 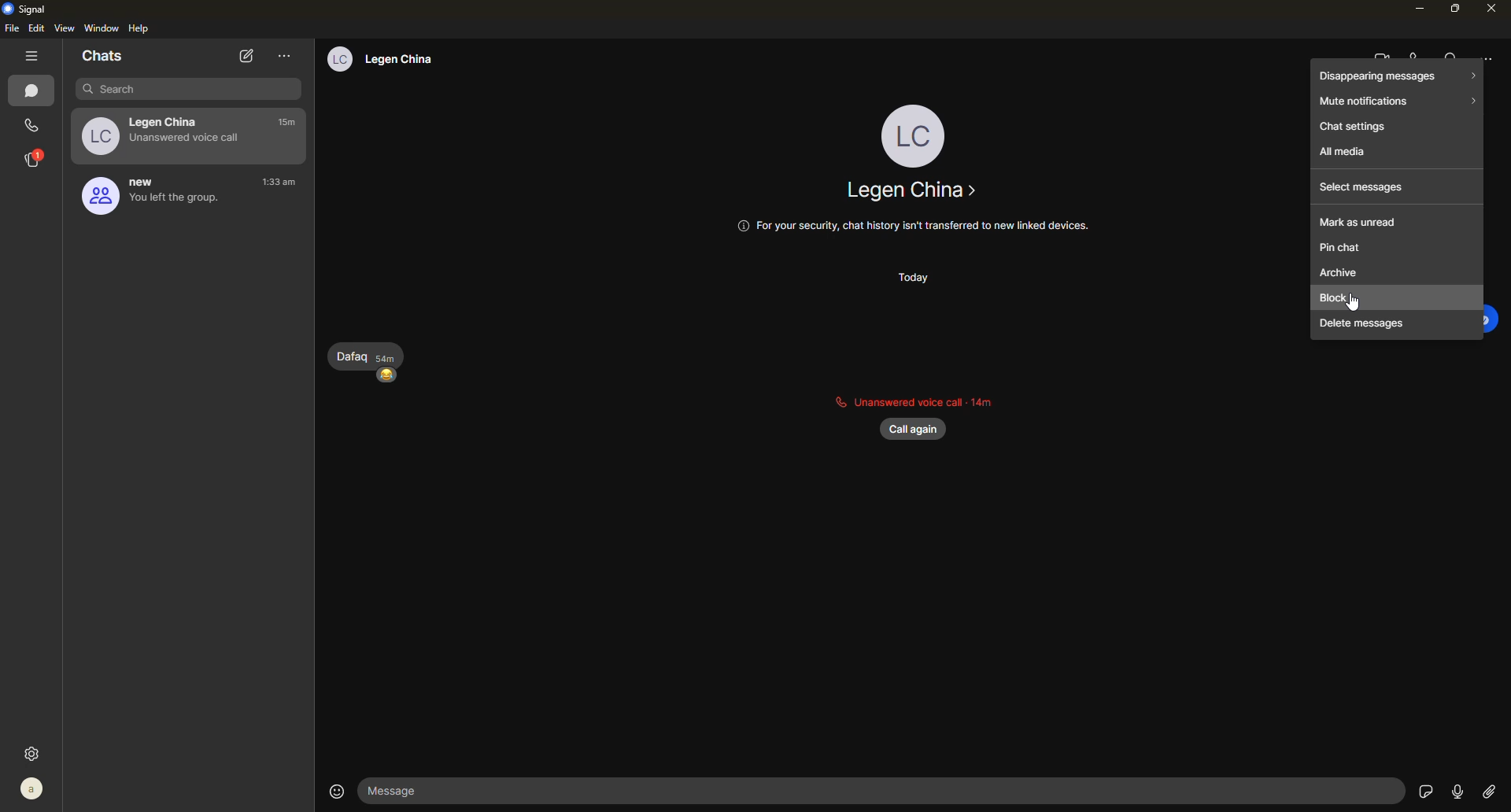 What do you see at coordinates (144, 197) in the screenshot?
I see `new
You left the group.` at bounding box center [144, 197].